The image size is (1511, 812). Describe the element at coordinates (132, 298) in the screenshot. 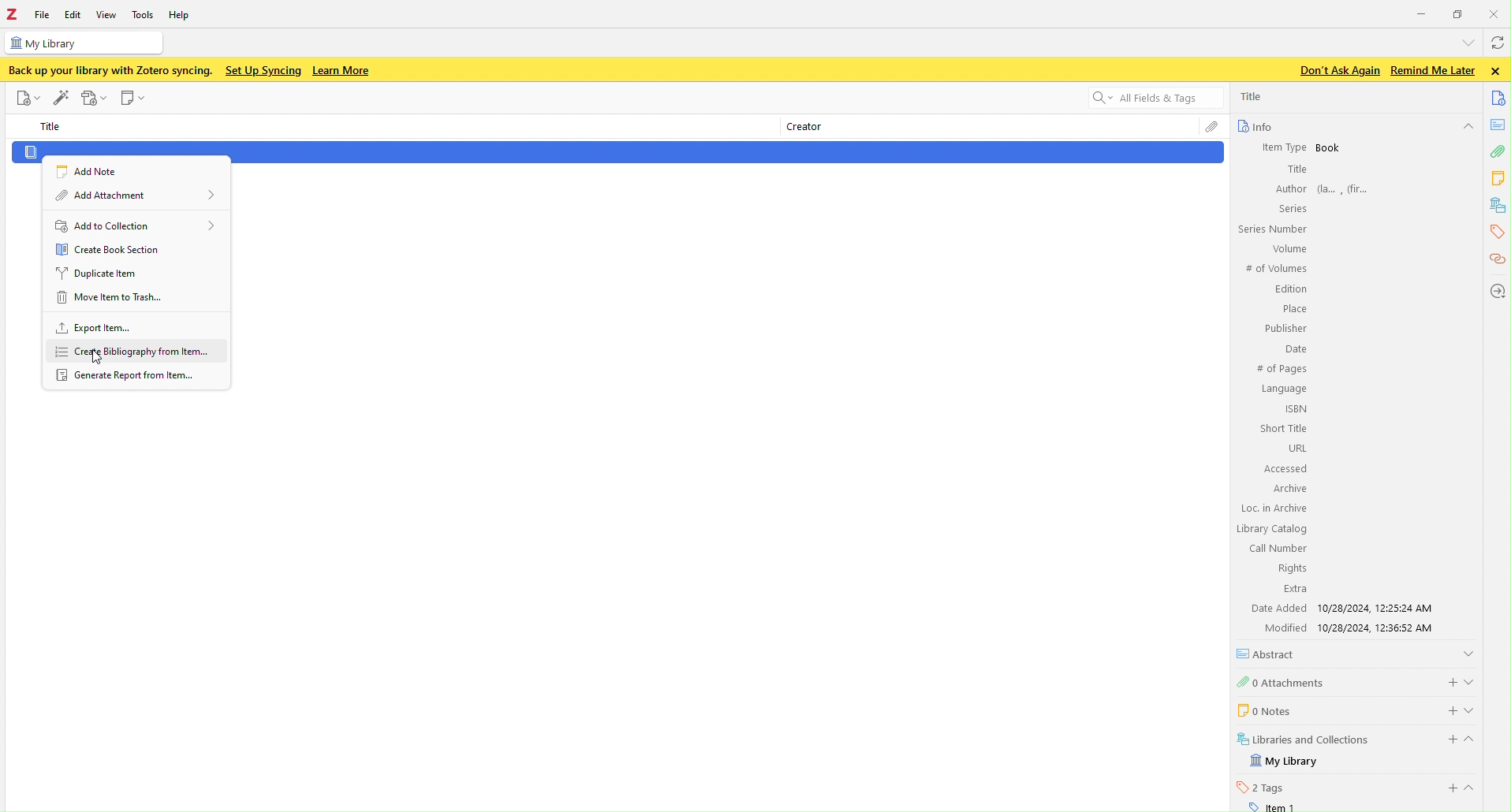

I see `move item to trash` at that location.